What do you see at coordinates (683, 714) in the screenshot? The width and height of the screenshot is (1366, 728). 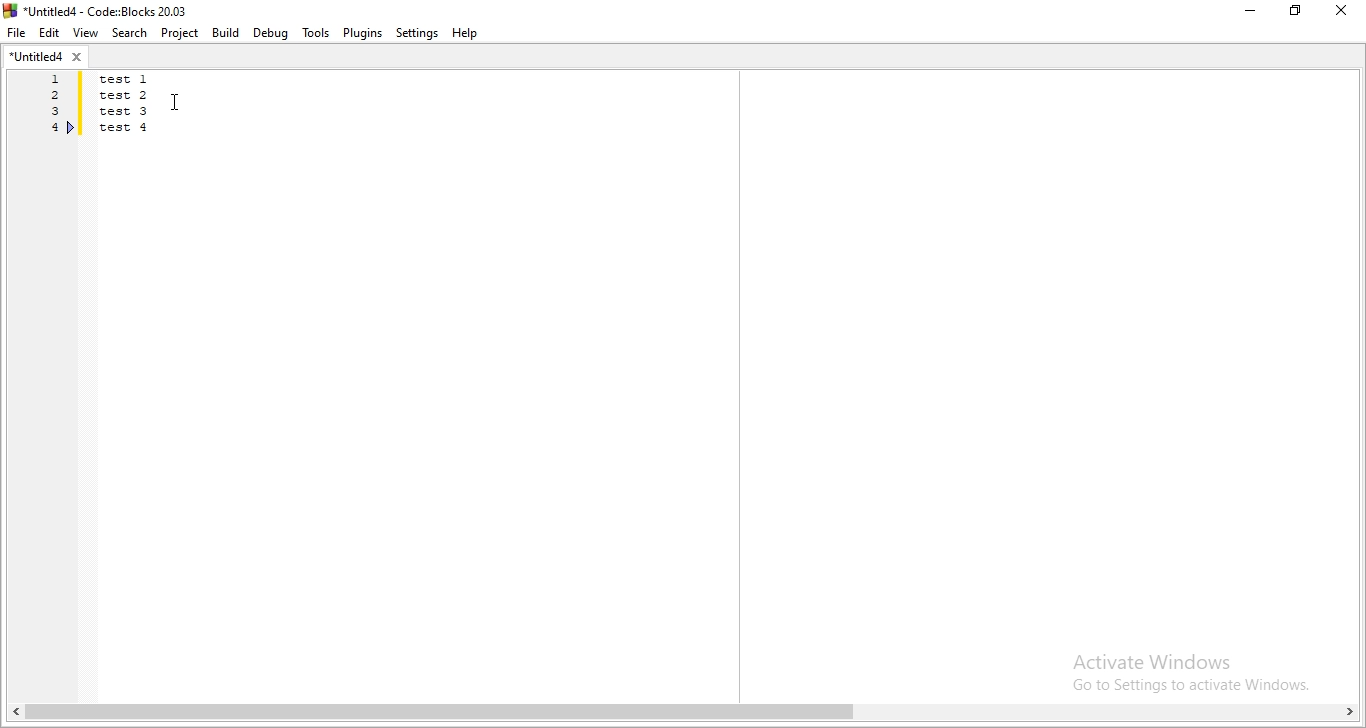 I see `scroll bar` at bounding box center [683, 714].